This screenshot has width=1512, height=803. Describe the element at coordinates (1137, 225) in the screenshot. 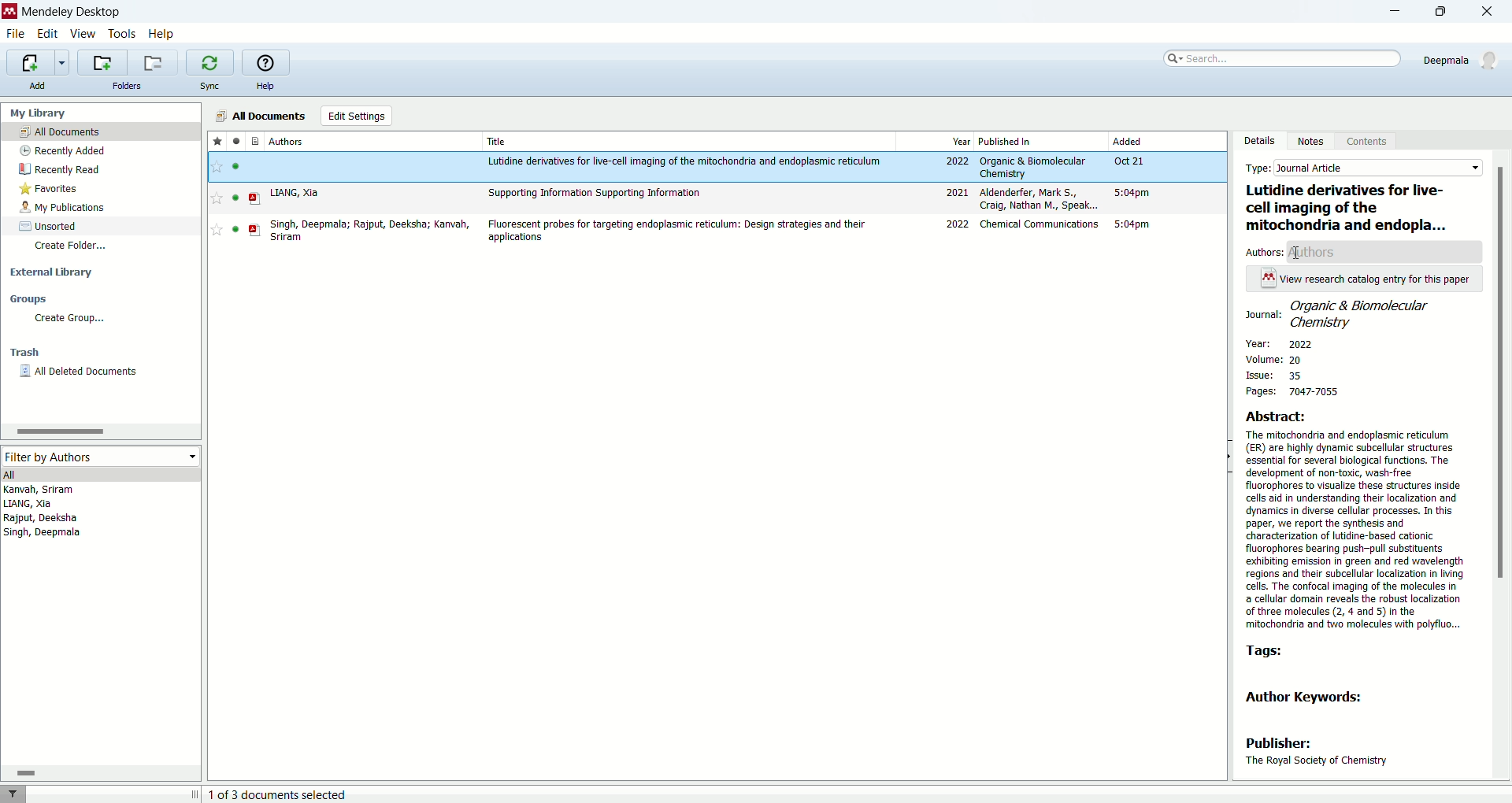

I see `5:04 pm` at that location.